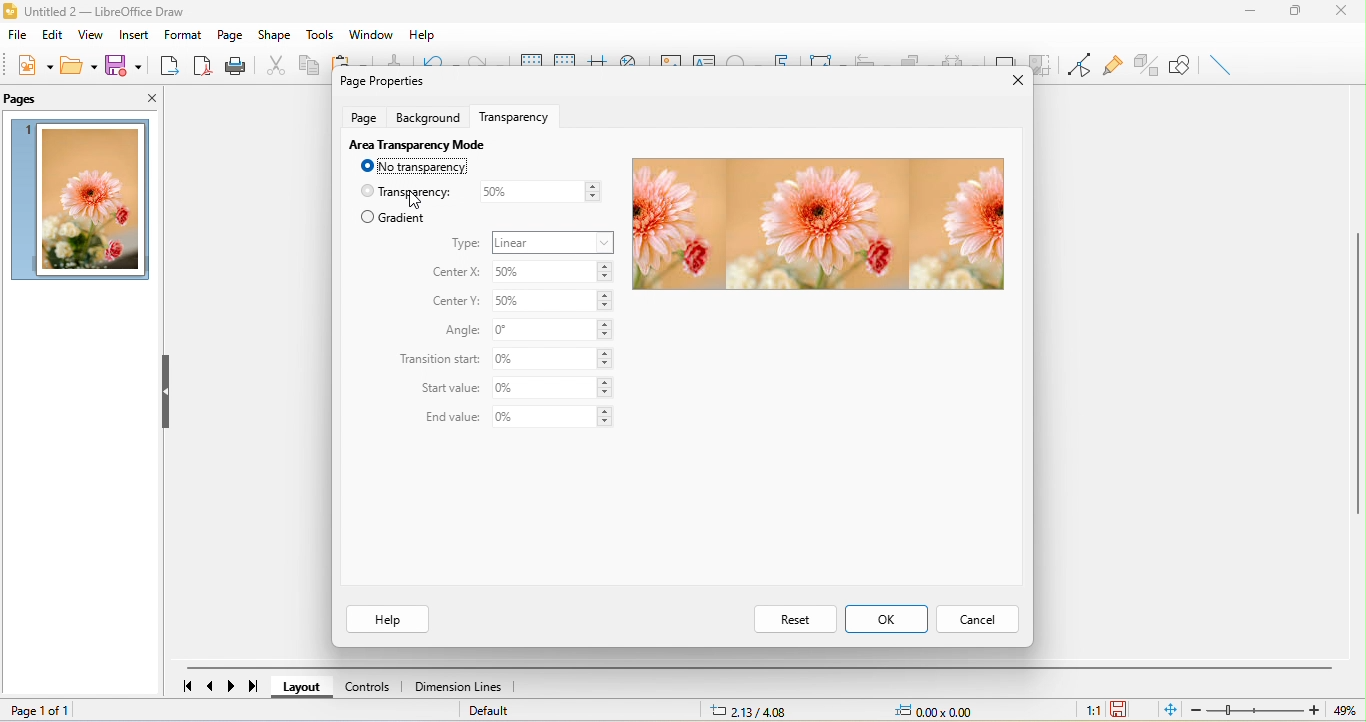 The image size is (1366, 722). What do you see at coordinates (307, 687) in the screenshot?
I see `layout` at bounding box center [307, 687].